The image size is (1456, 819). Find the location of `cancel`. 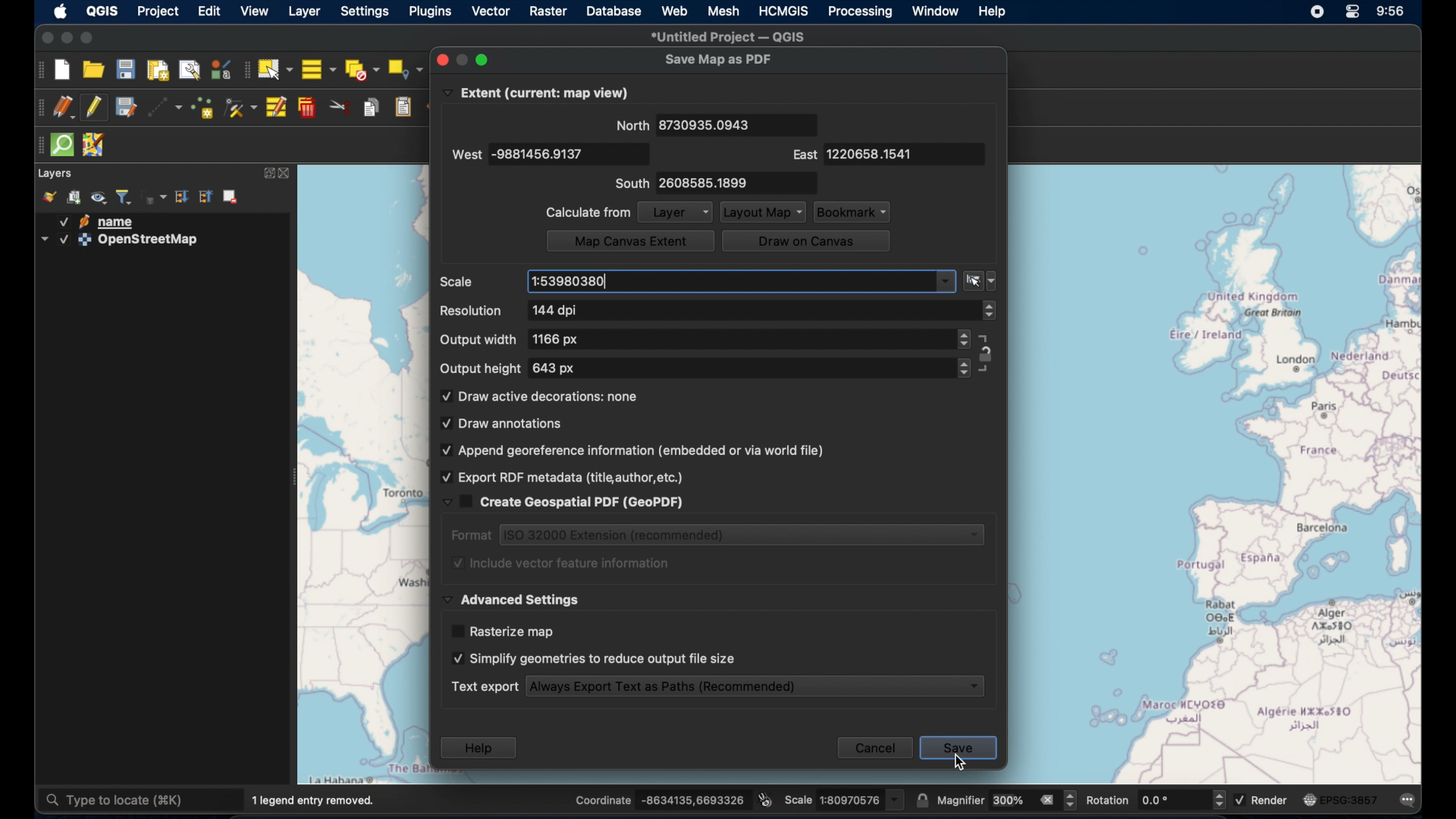

cancel is located at coordinates (873, 748).